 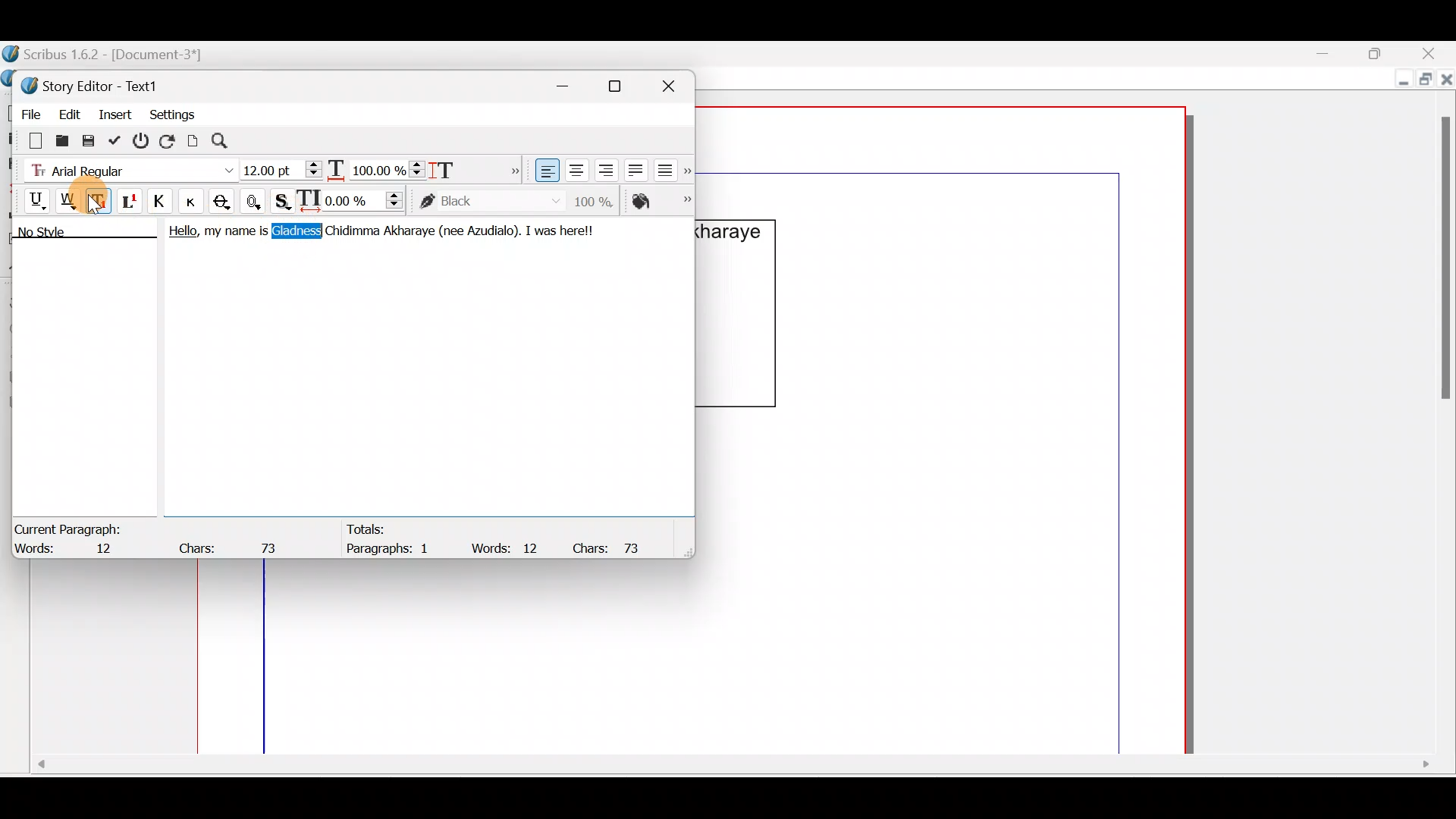 What do you see at coordinates (226, 202) in the screenshot?
I see `Strike out` at bounding box center [226, 202].